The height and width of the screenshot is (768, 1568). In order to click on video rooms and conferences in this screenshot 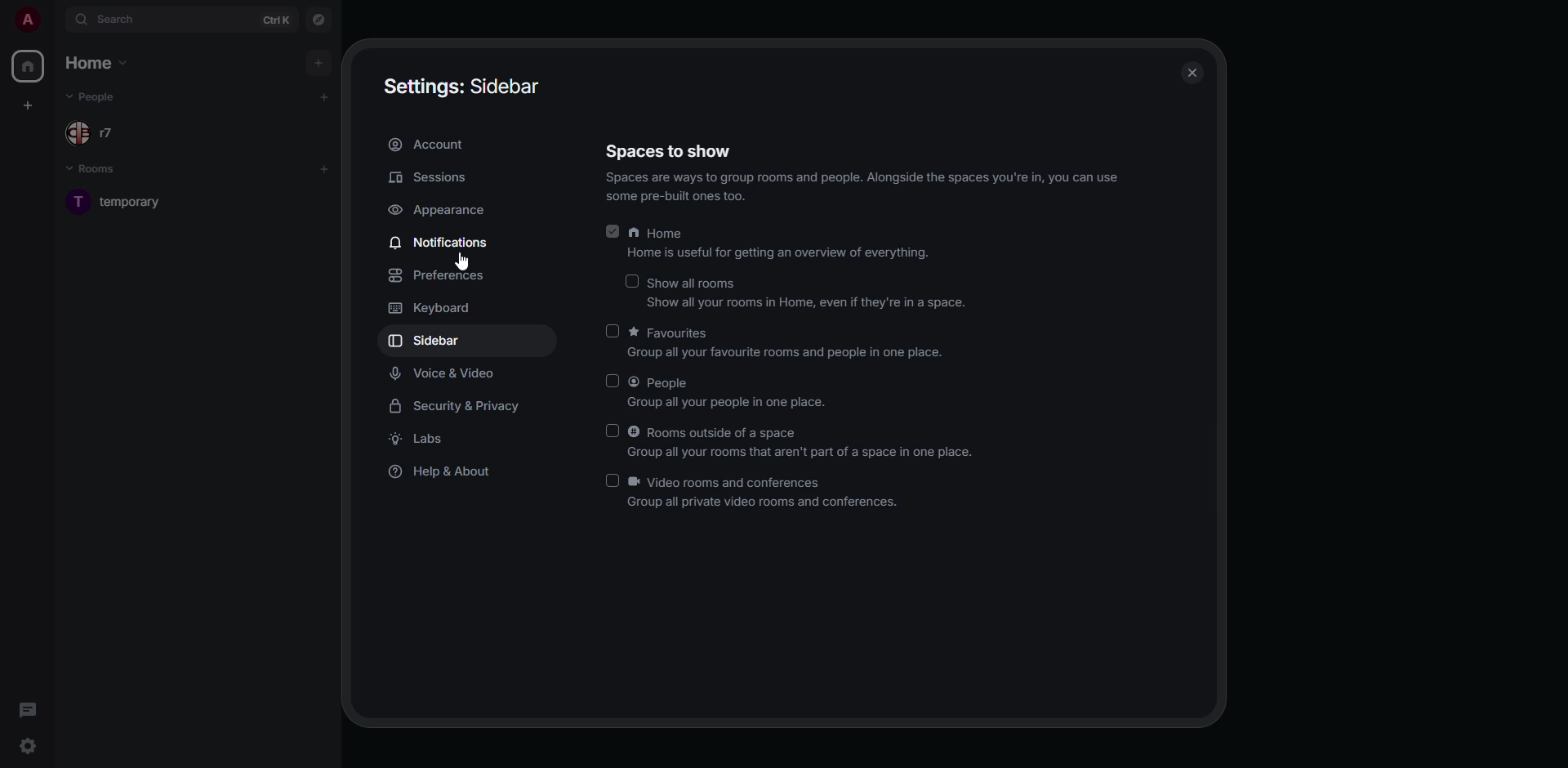, I will do `click(766, 493)`.